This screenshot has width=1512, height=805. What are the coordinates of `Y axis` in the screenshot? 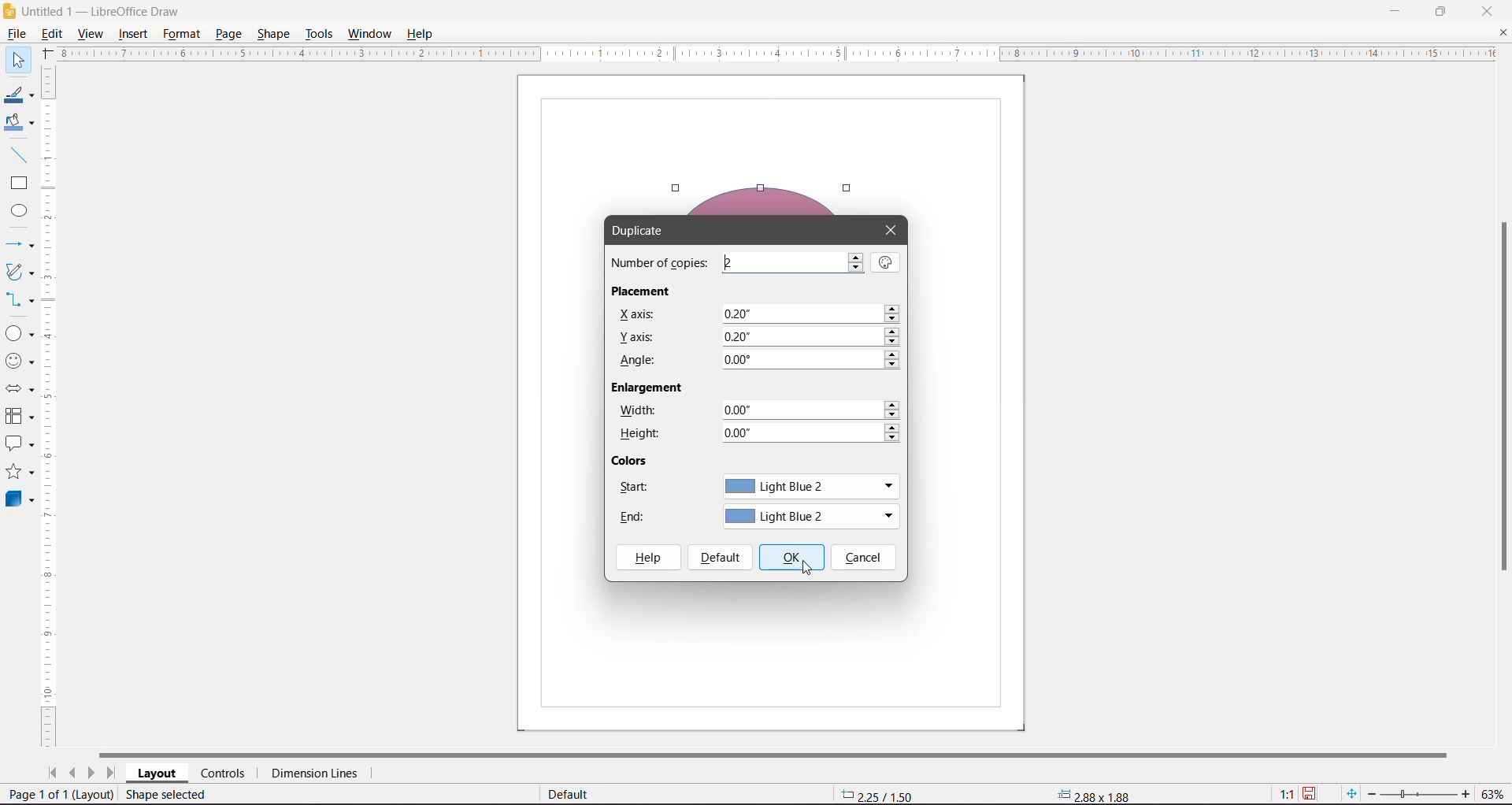 It's located at (636, 337).